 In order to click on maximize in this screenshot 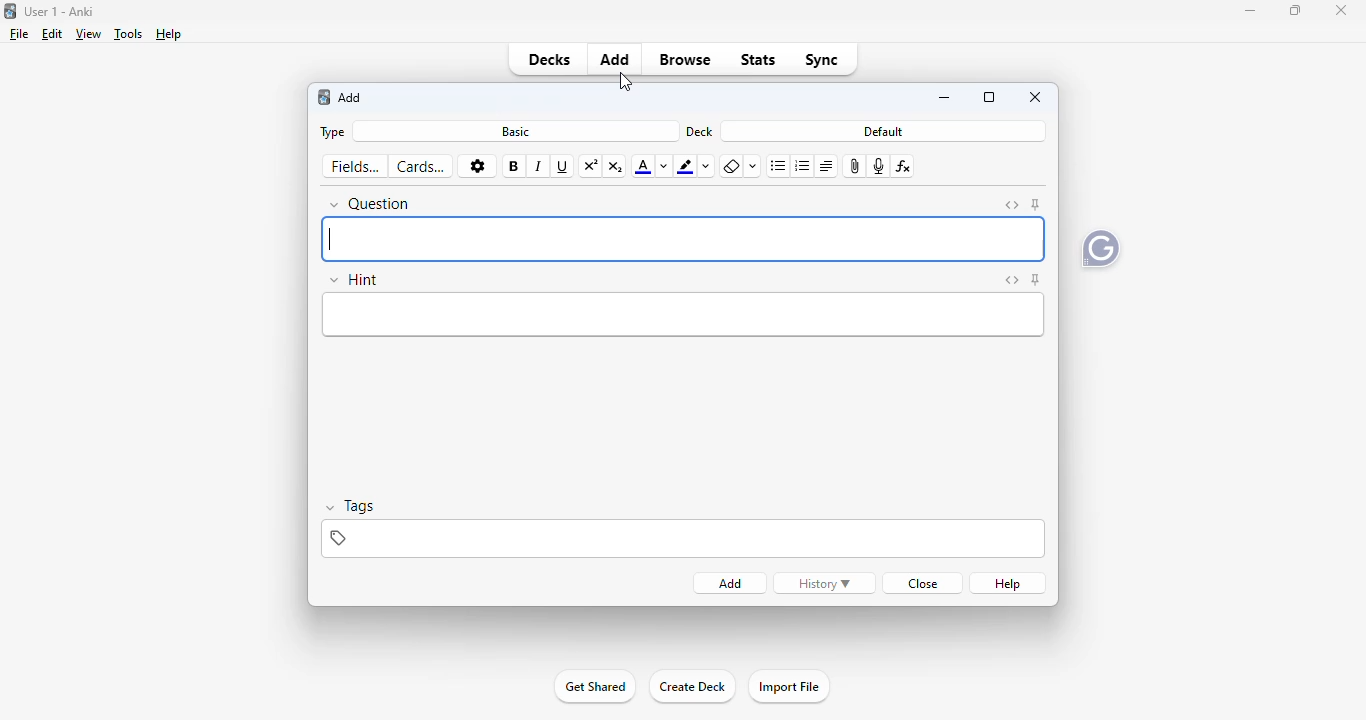, I will do `click(1295, 10)`.